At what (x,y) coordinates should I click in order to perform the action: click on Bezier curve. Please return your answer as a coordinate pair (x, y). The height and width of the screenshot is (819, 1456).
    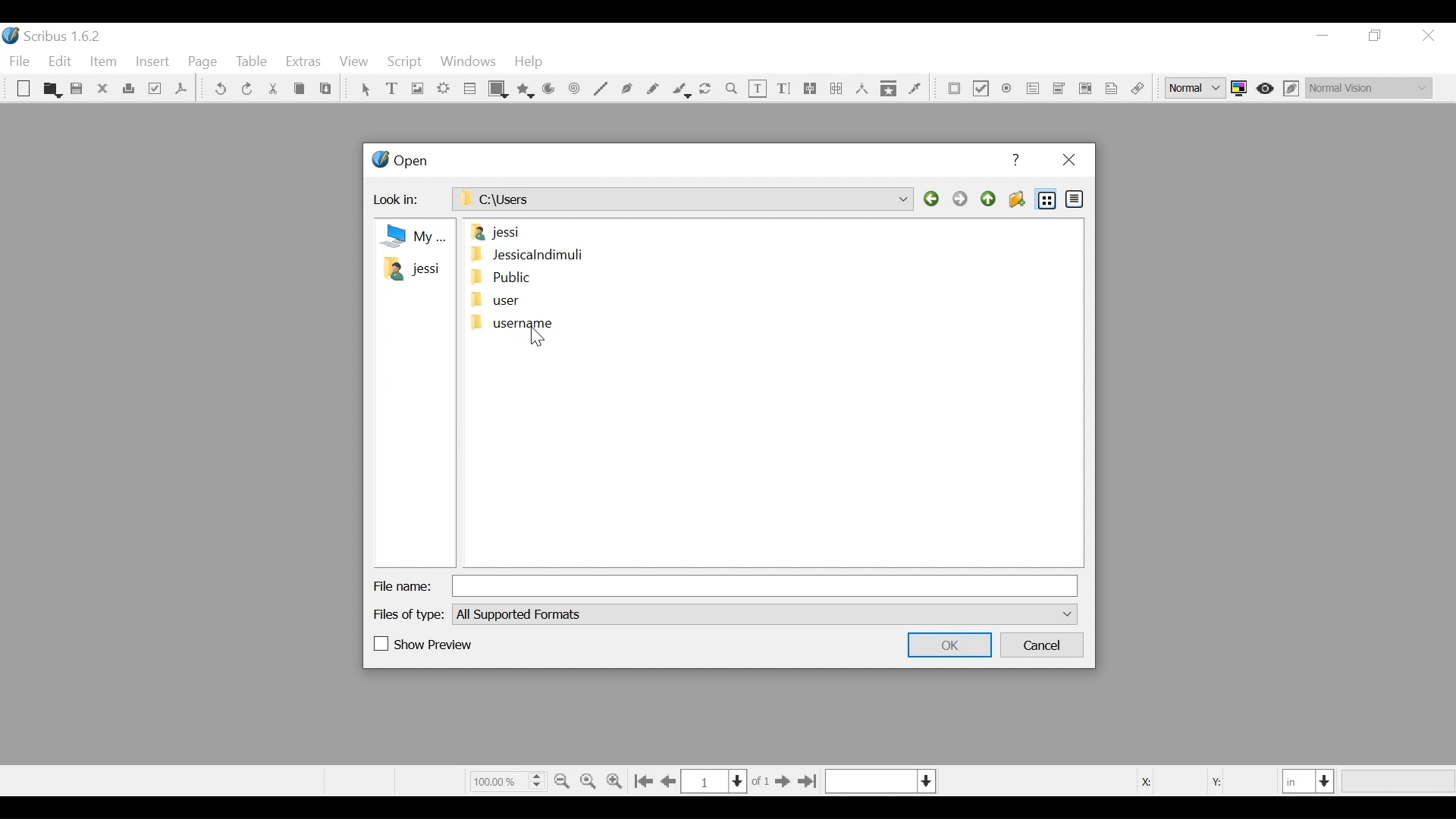
    Looking at the image, I should click on (627, 89).